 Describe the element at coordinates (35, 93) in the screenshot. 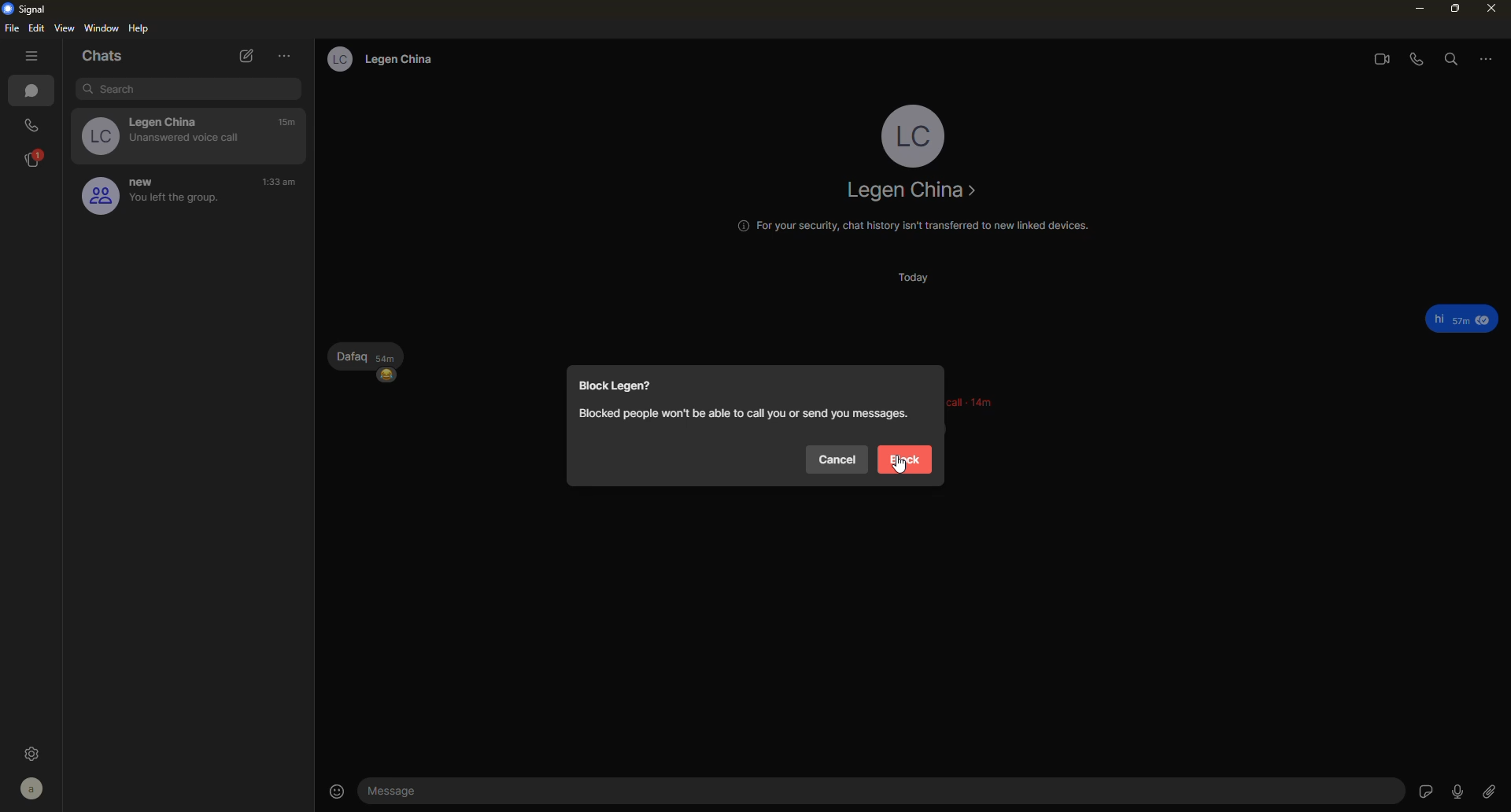

I see `chats` at that location.